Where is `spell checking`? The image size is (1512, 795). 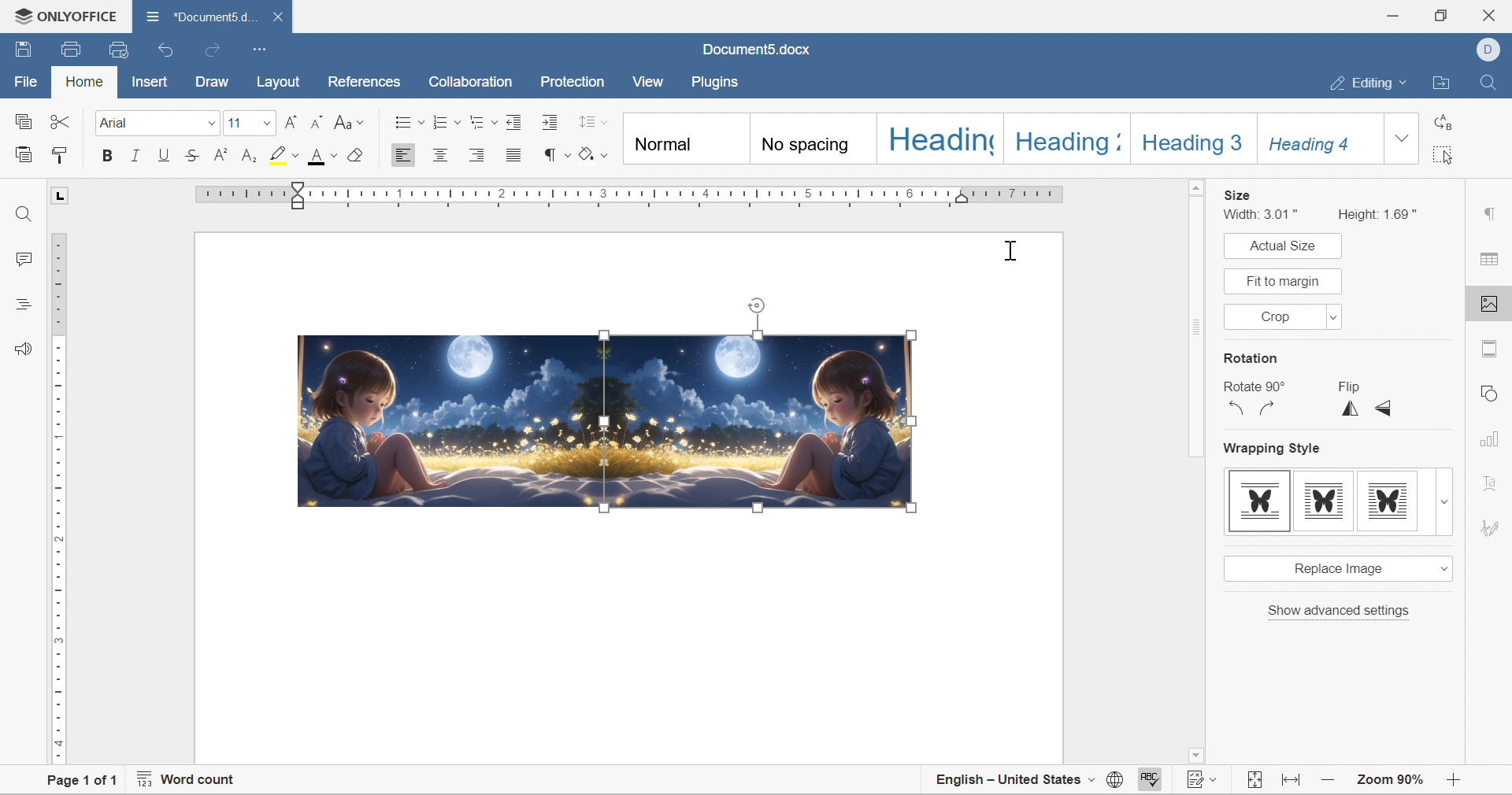 spell checking is located at coordinates (1155, 778).